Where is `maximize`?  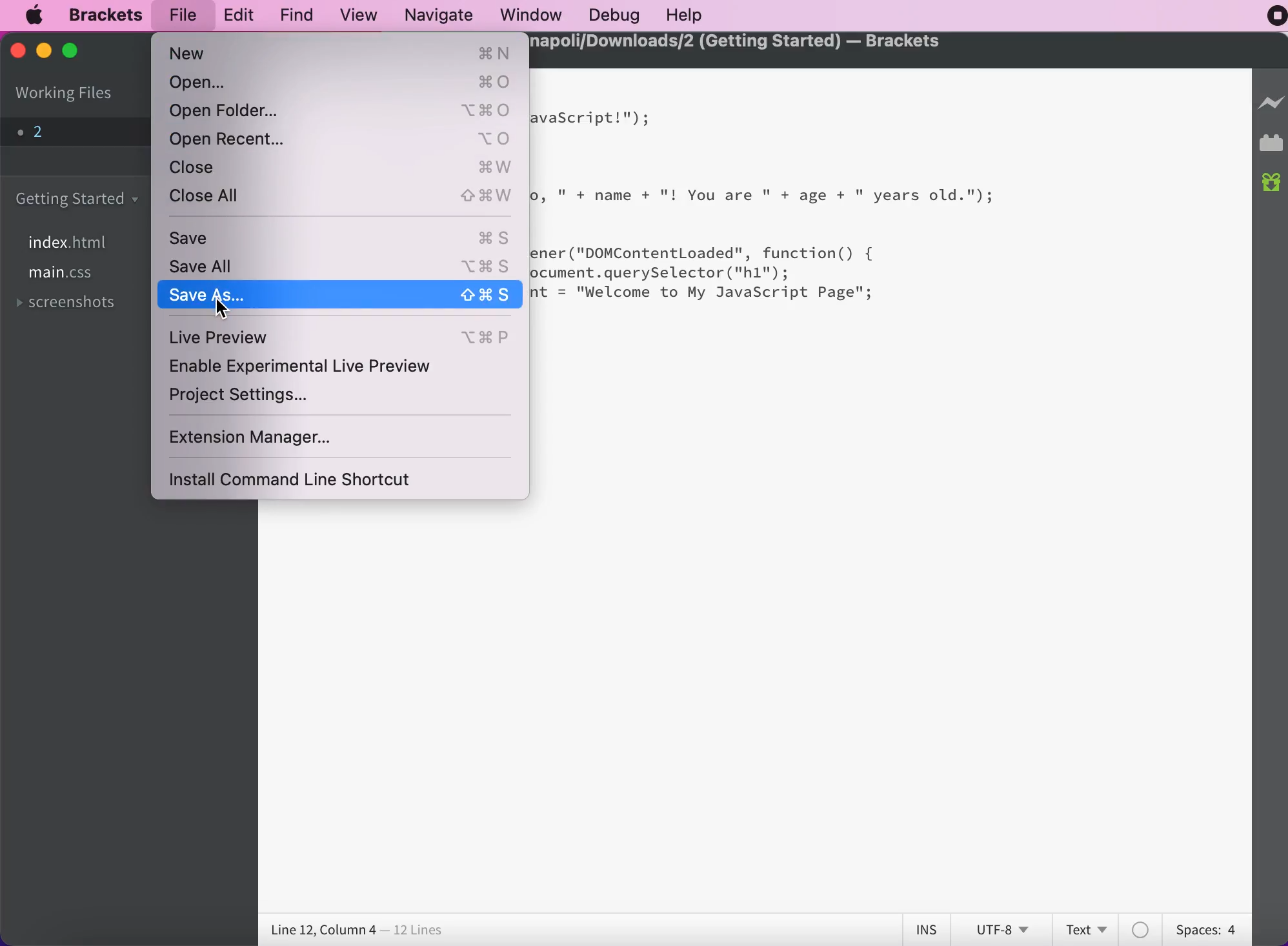 maximize is located at coordinates (79, 52).